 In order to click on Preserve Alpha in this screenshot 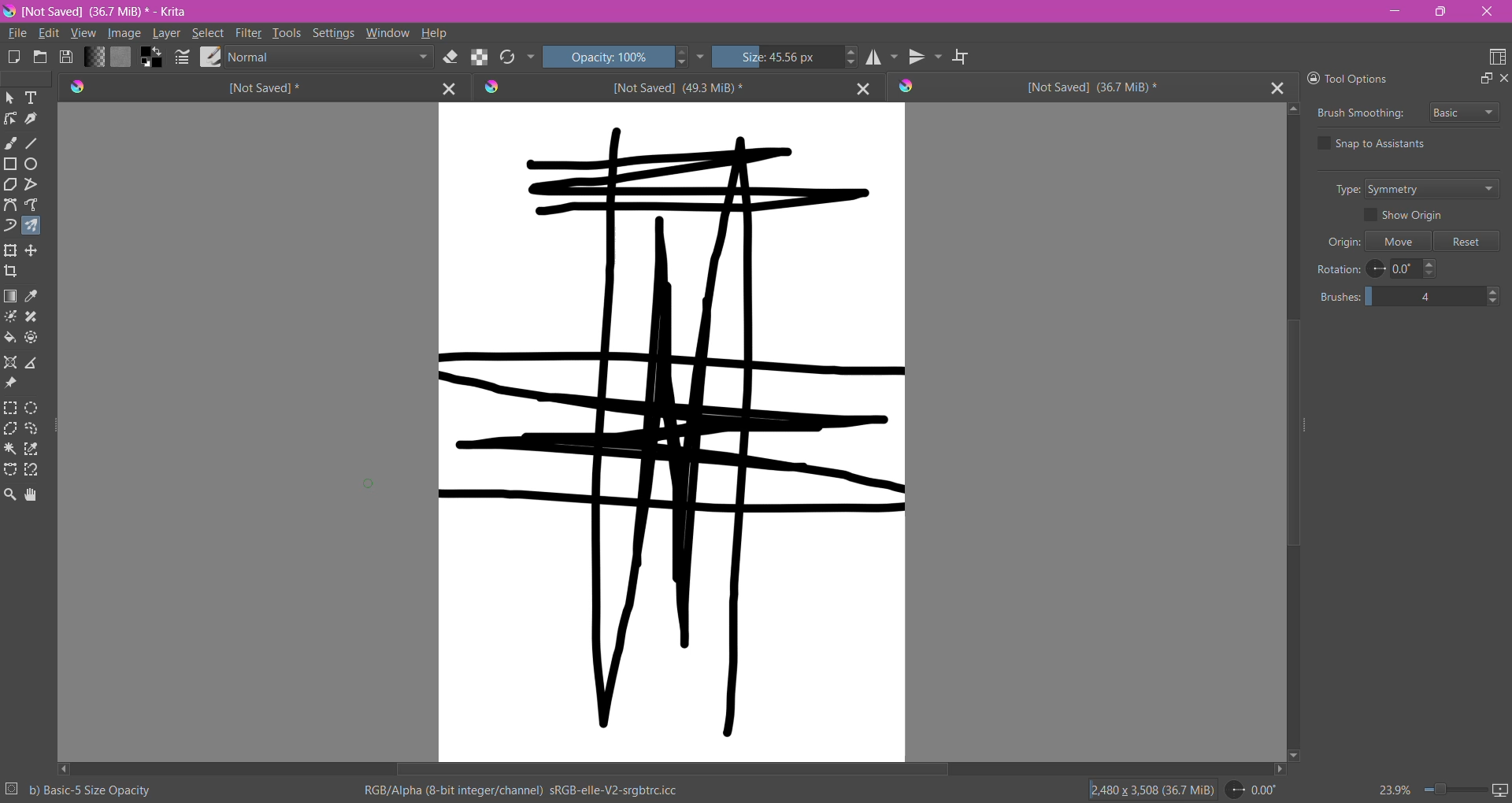, I will do `click(477, 56)`.